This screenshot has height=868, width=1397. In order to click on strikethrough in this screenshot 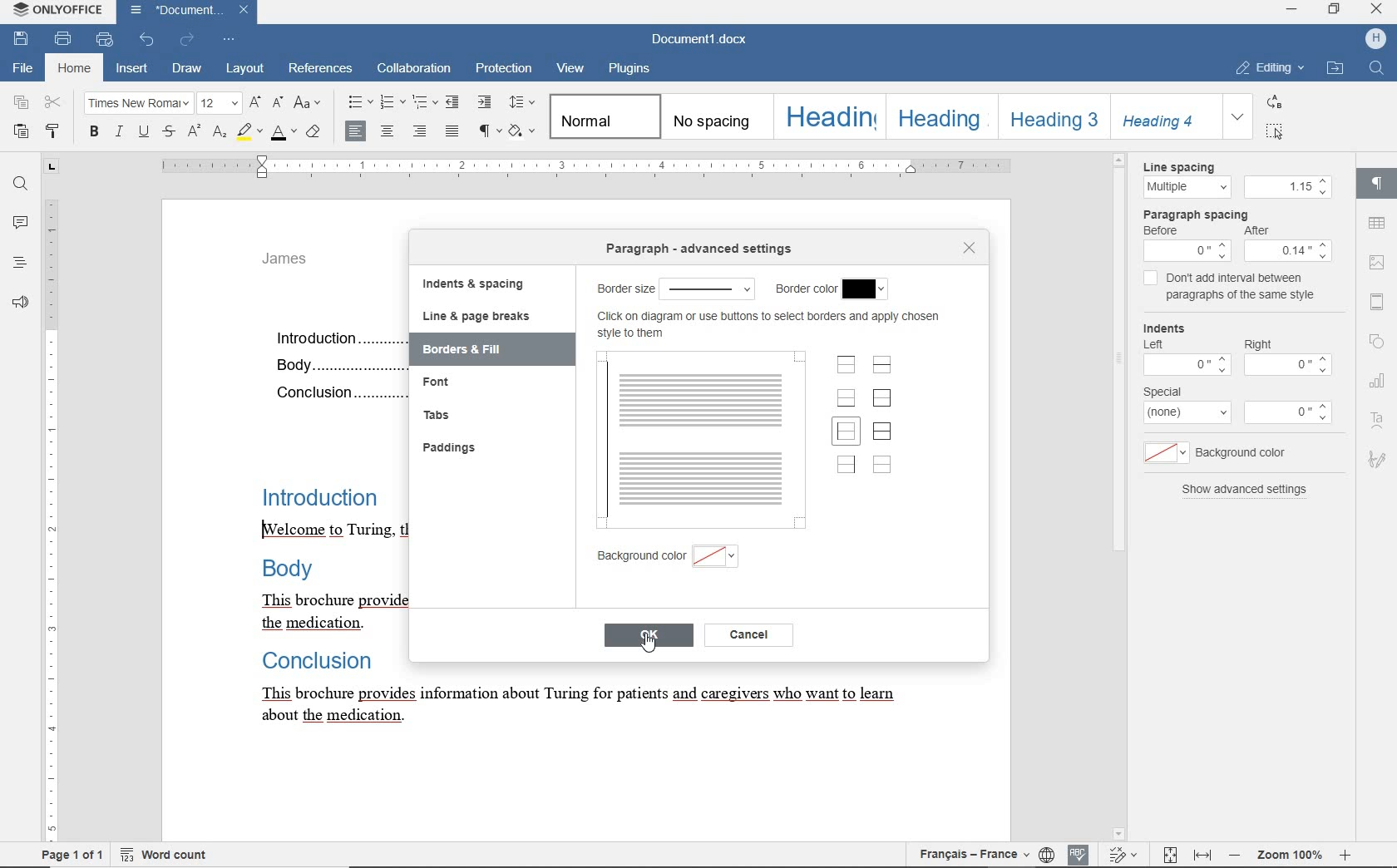, I will do `click(171, 132)`.